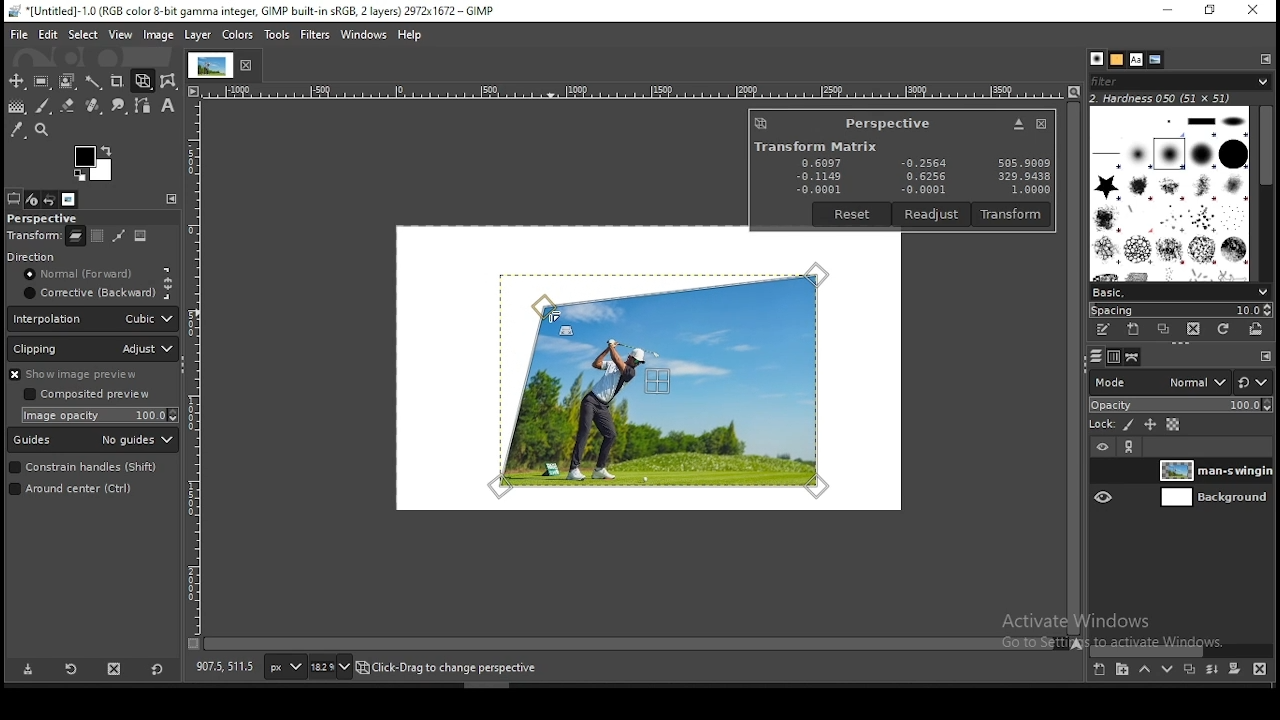  I want to click on units, so click(284, 667).